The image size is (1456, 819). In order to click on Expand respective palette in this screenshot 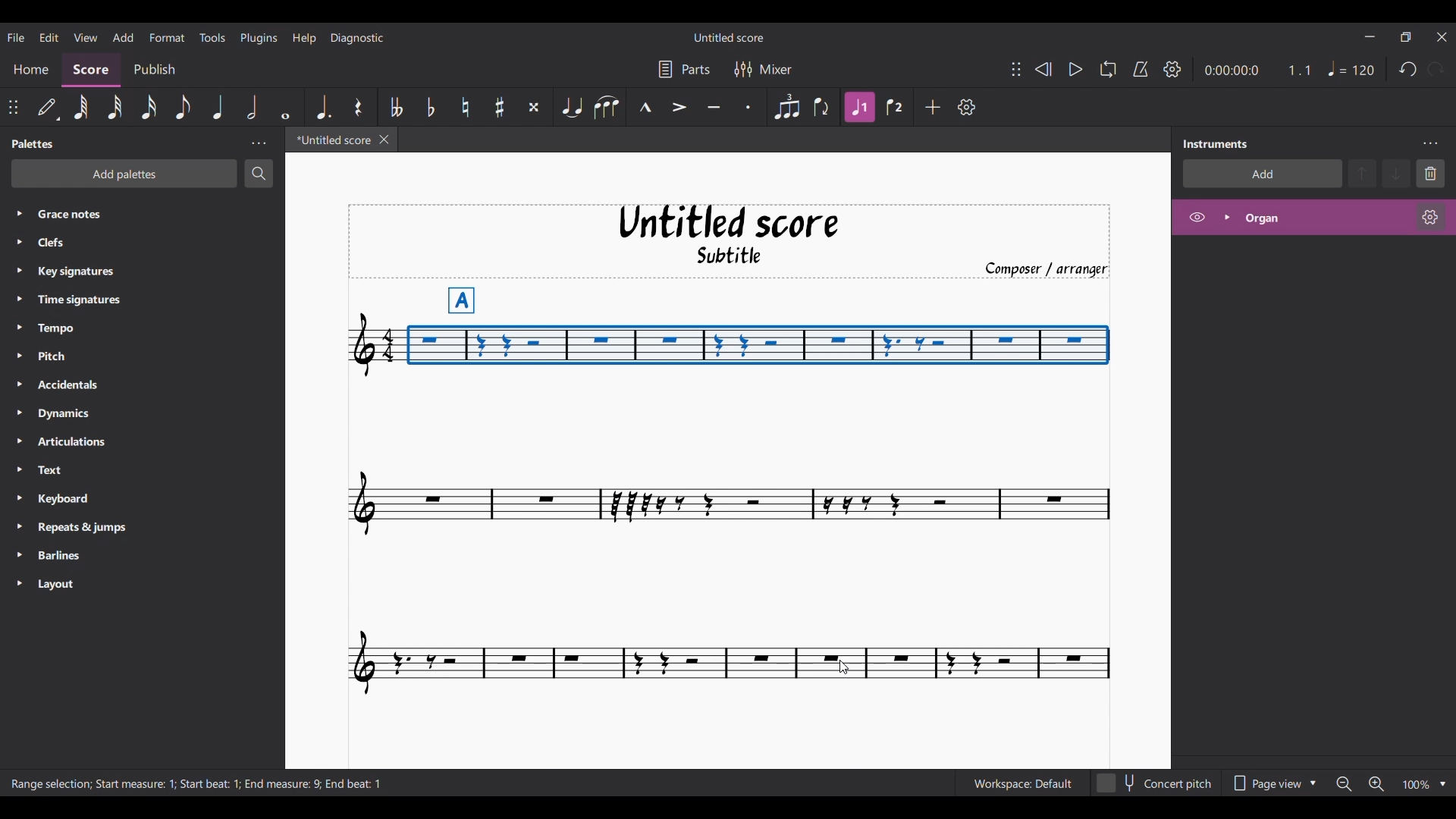, I will do `click(14, 398)`.